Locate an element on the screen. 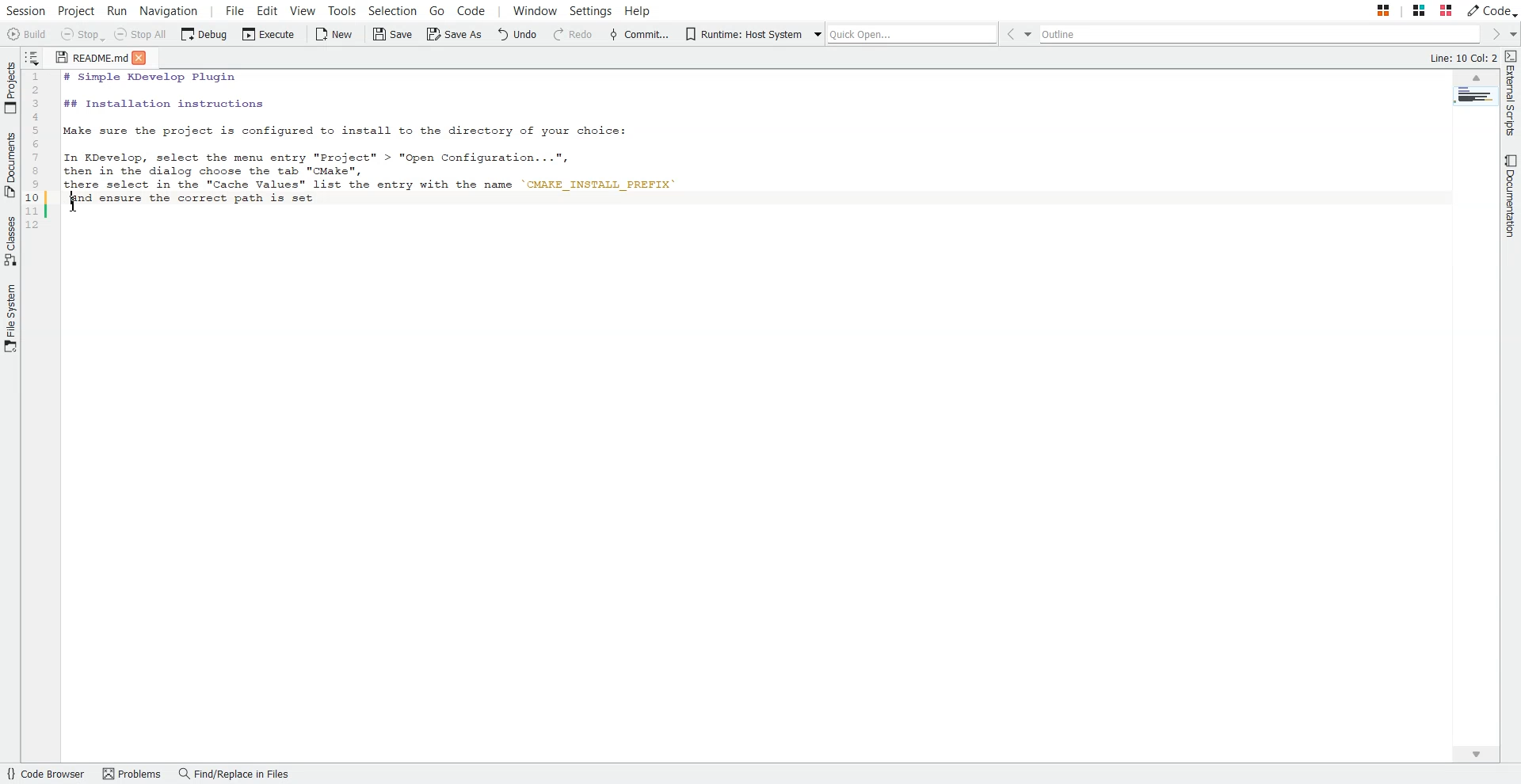 The height and width of the screenshot is (784, 1521). Stack is located at coordinates (1402, 10).